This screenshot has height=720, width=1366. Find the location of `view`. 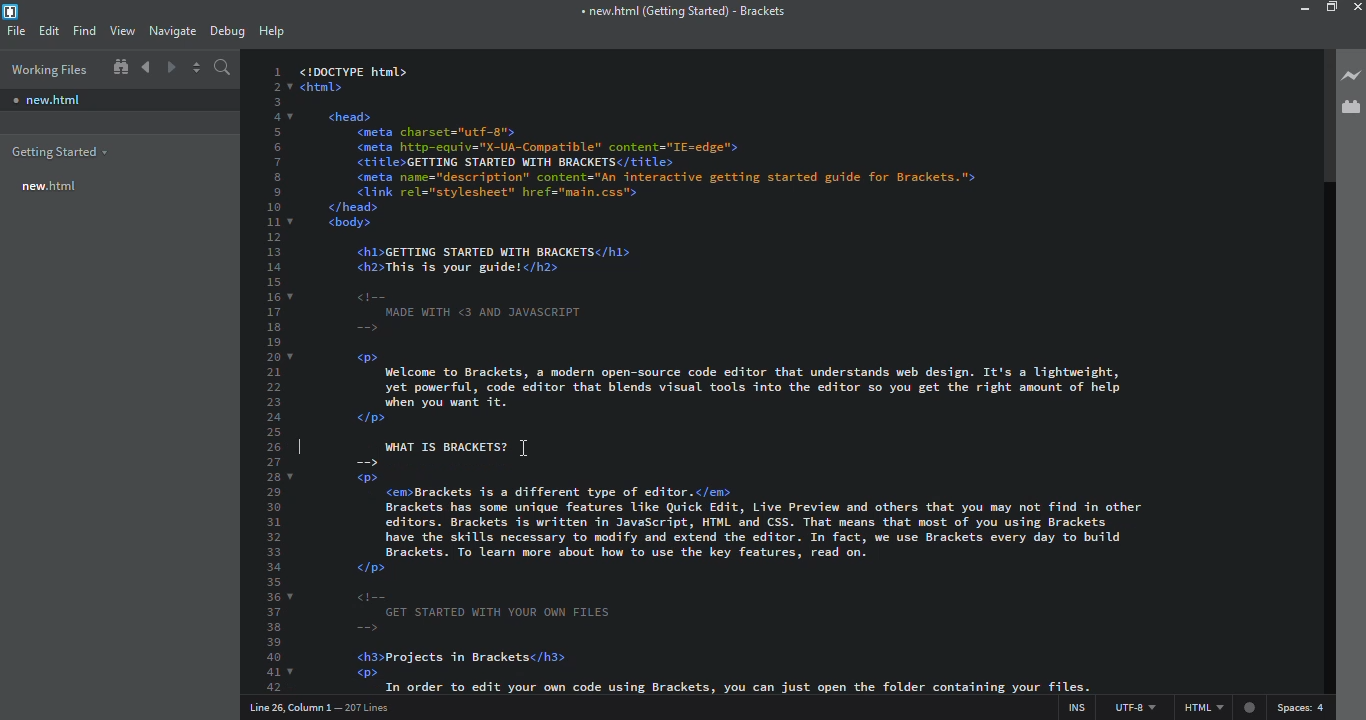

view is located at coordinates (122, 31).